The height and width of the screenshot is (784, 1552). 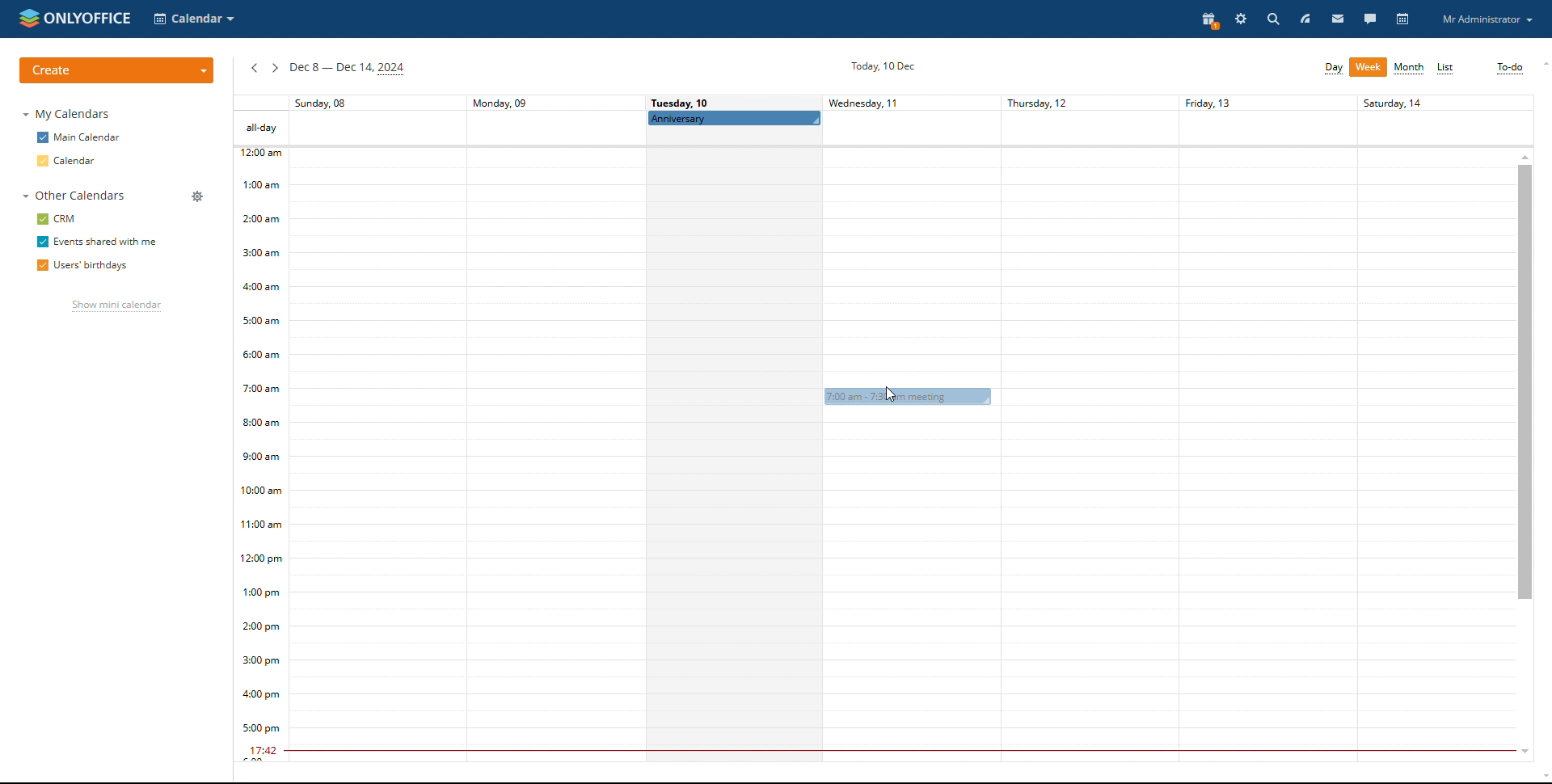 What do you see at coordinates (1487, 19) in the screenshot?
I see `profile` at bounding box center [1487, 19].